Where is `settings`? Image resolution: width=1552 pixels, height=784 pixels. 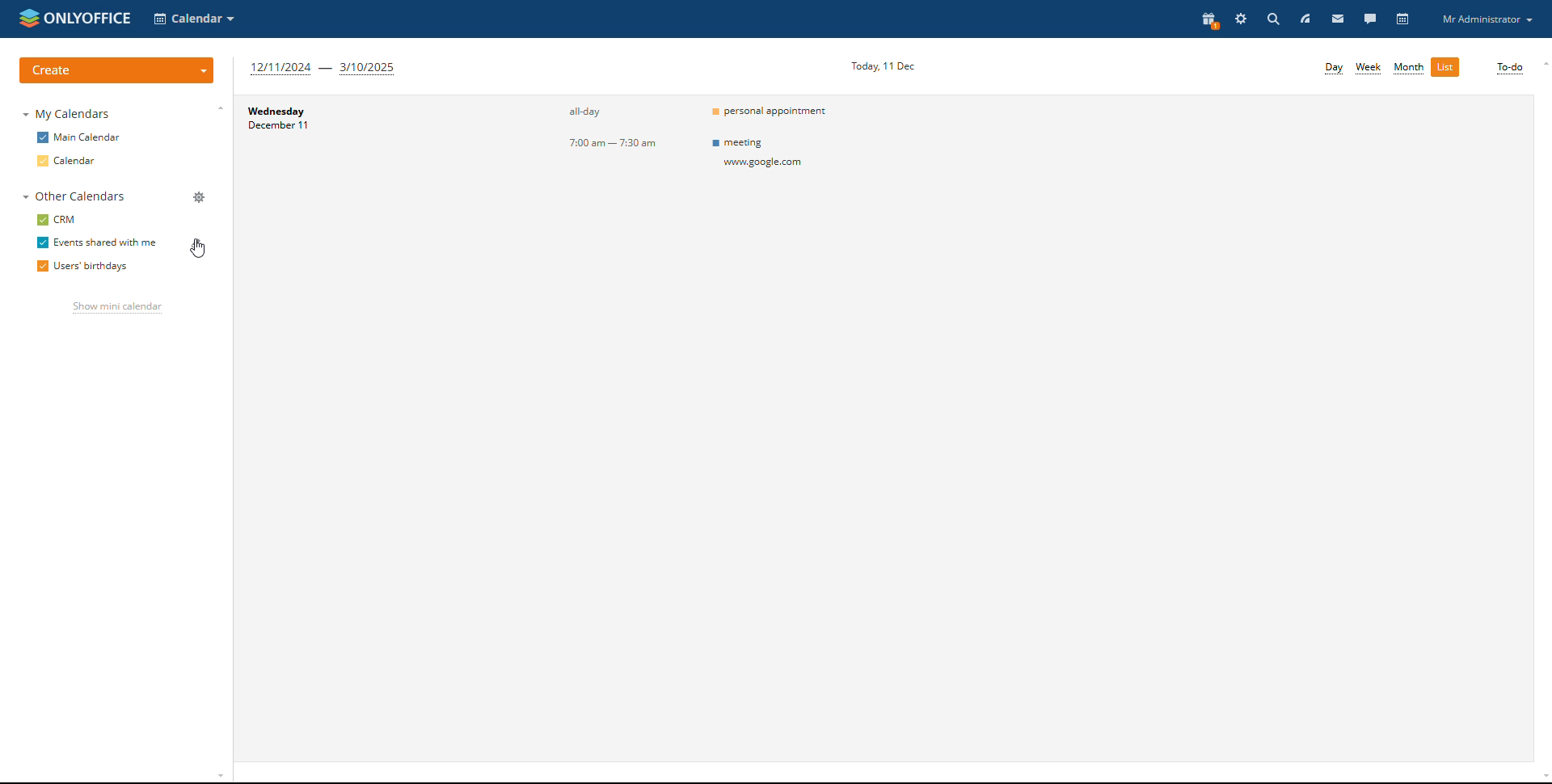 settings is located at coordinates (1241, 18).